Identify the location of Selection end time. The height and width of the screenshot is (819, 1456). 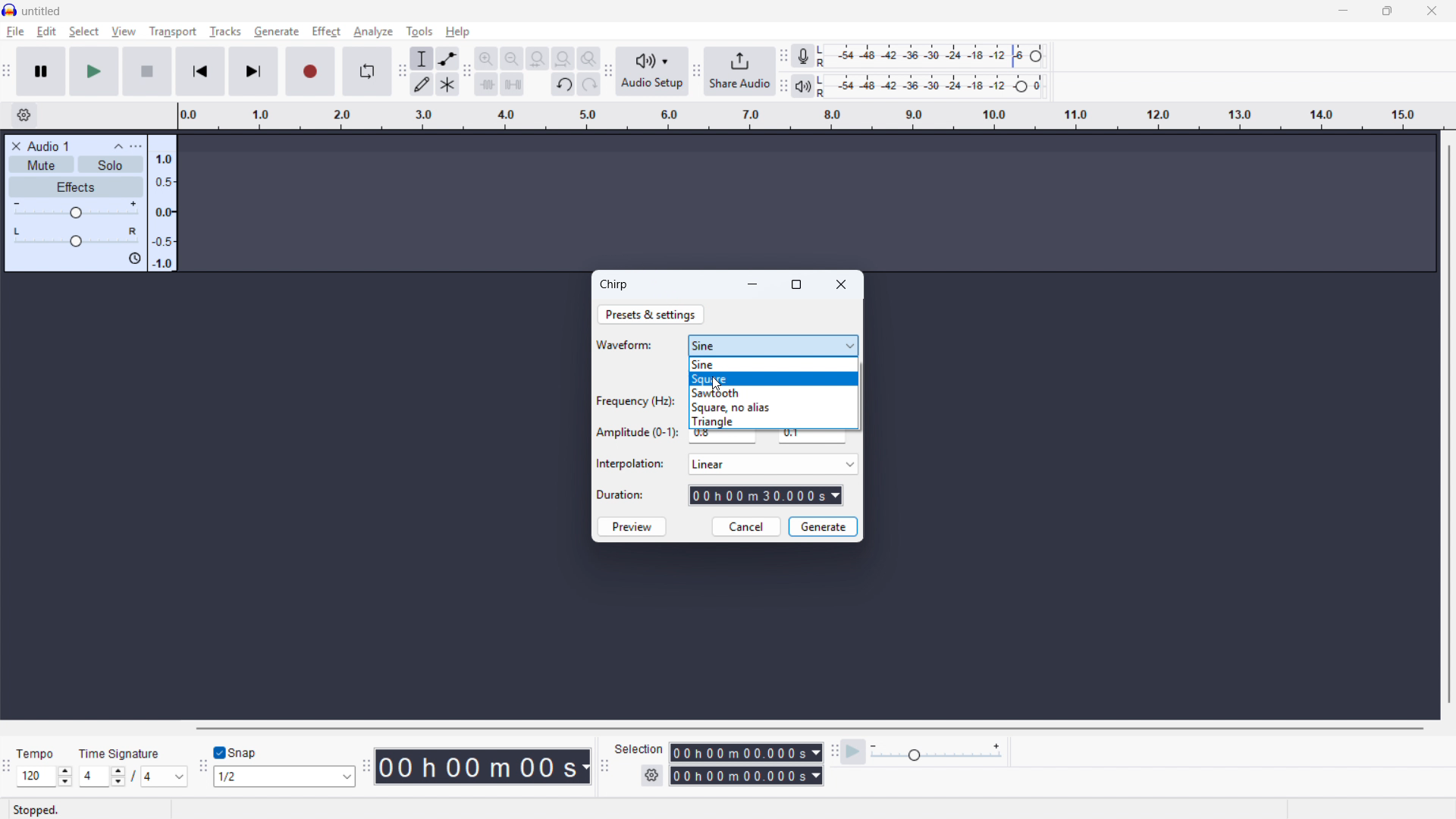
(746, 776).